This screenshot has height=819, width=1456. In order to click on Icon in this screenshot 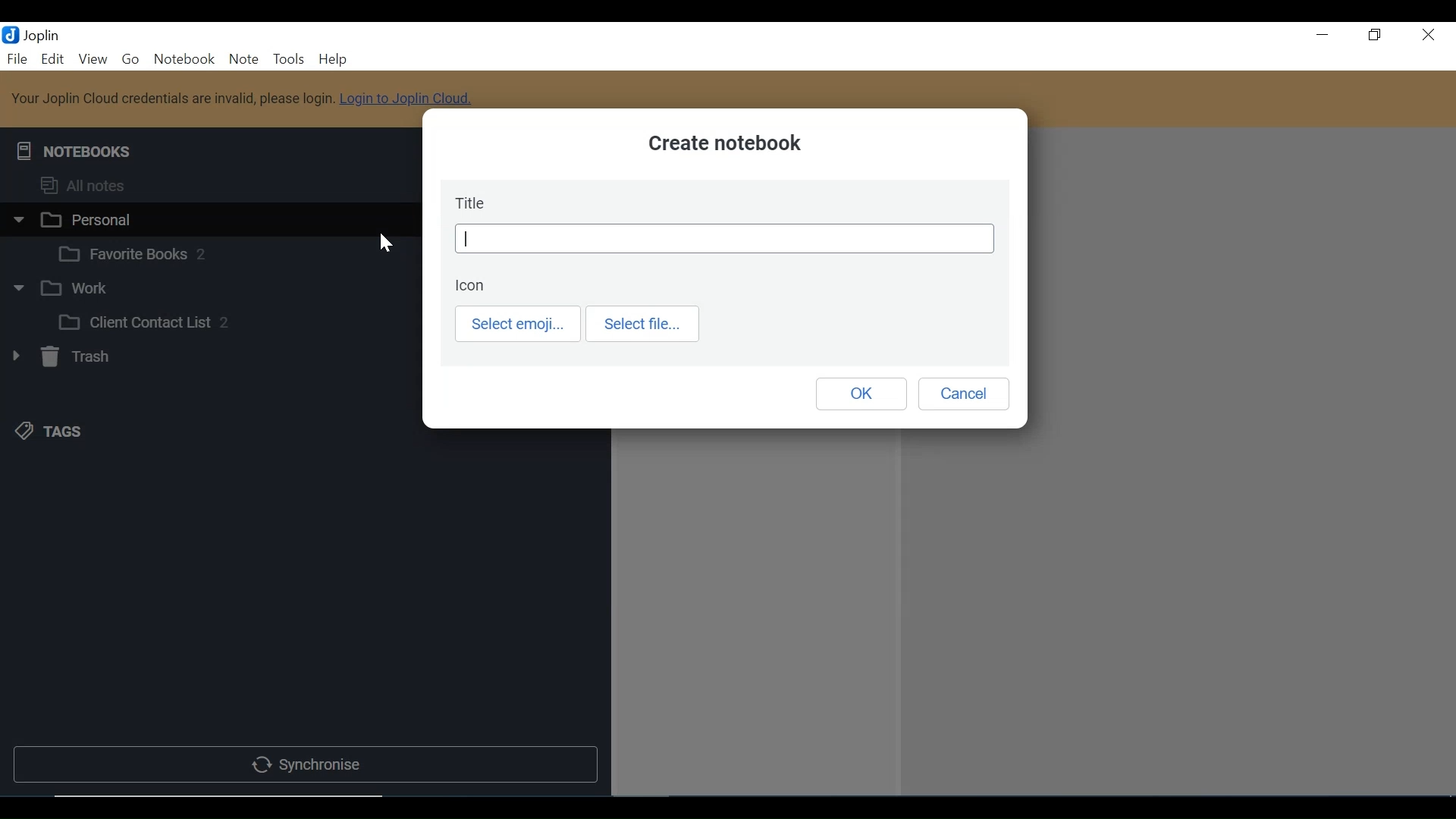, I will do `click(475, 287)`.